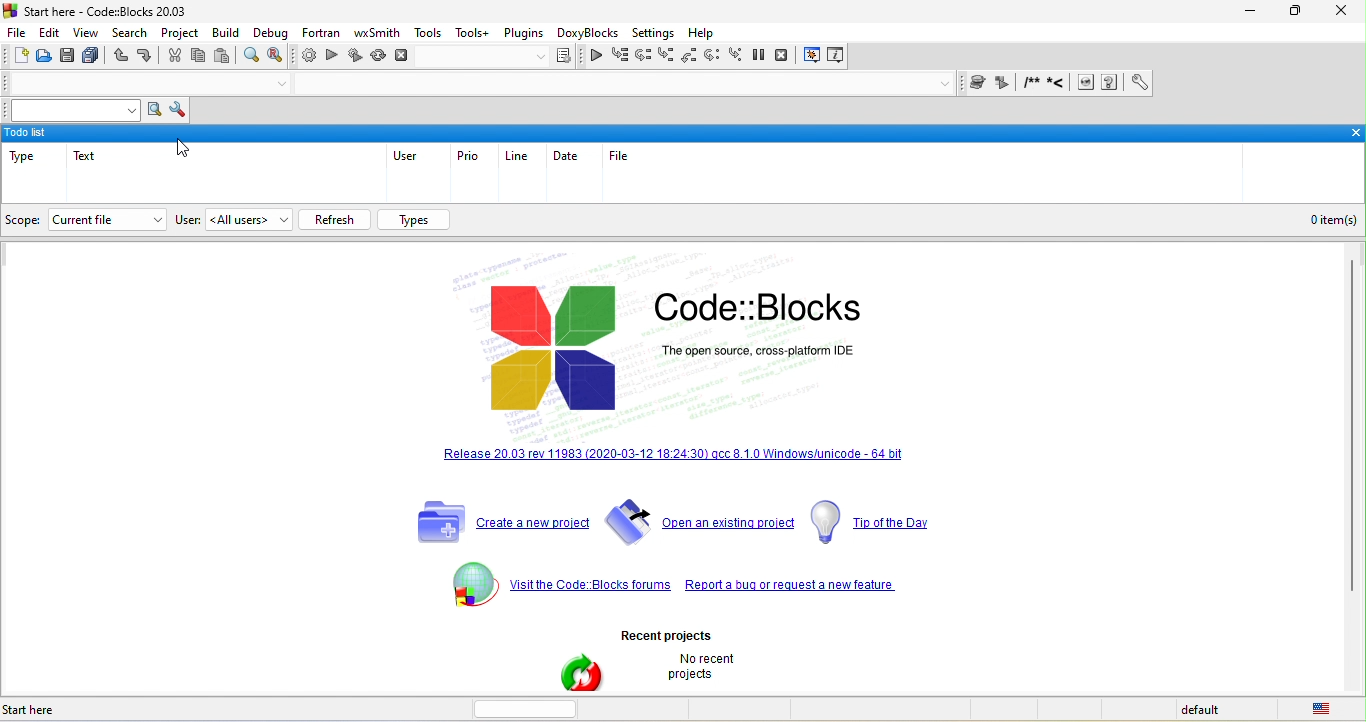  What do you see at coordinates (200, 58) in the screenshot?
I see `copy` at bounding box center [200, 58].